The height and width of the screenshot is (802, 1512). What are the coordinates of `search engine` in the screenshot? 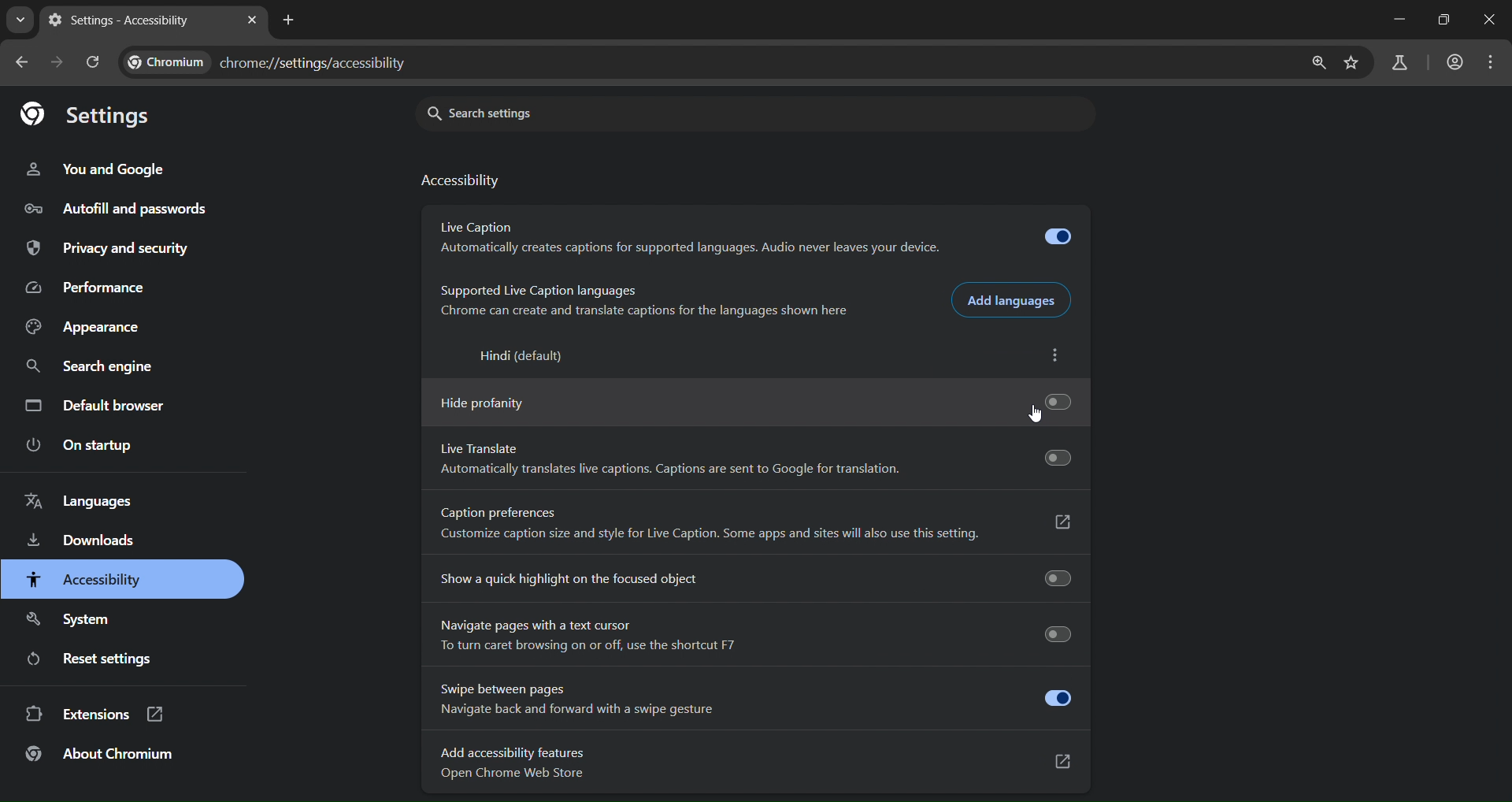 It's located at (91, 366).